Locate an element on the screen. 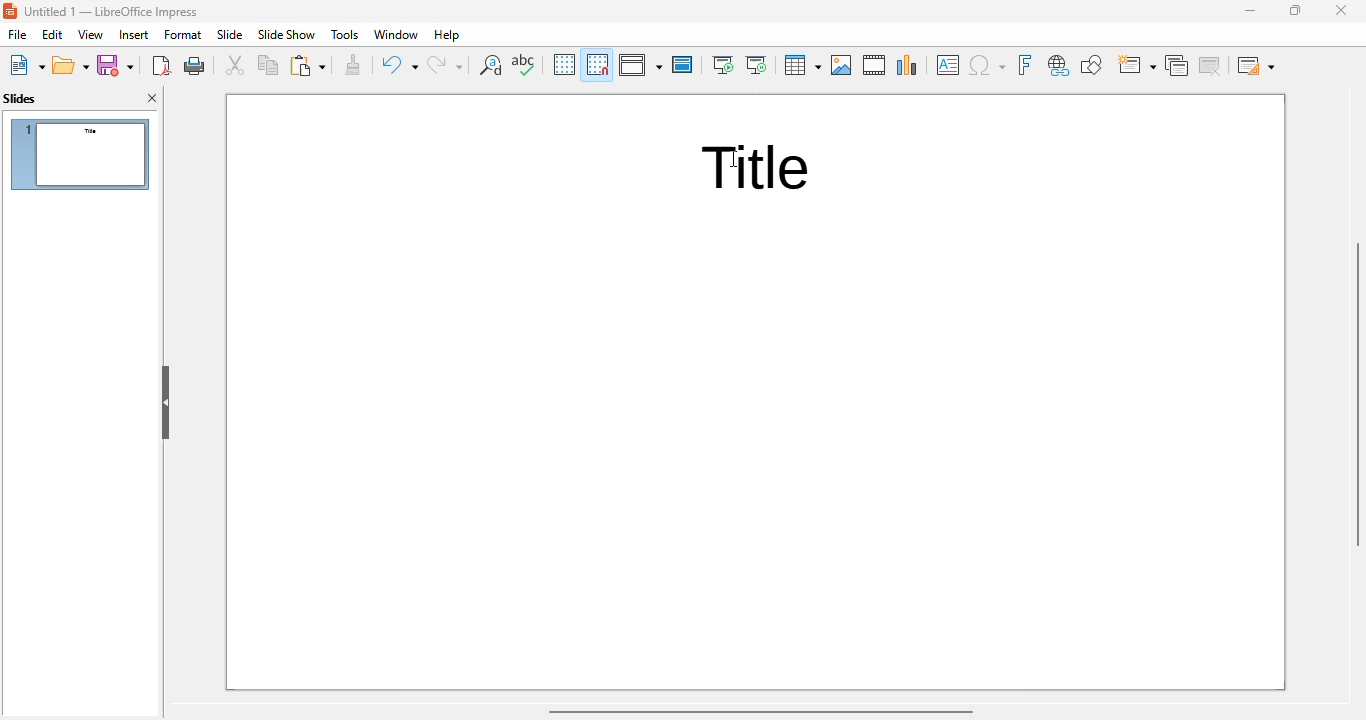 This screenshot has height=720, width=1366. display grid is located at coordinates (564, 65).